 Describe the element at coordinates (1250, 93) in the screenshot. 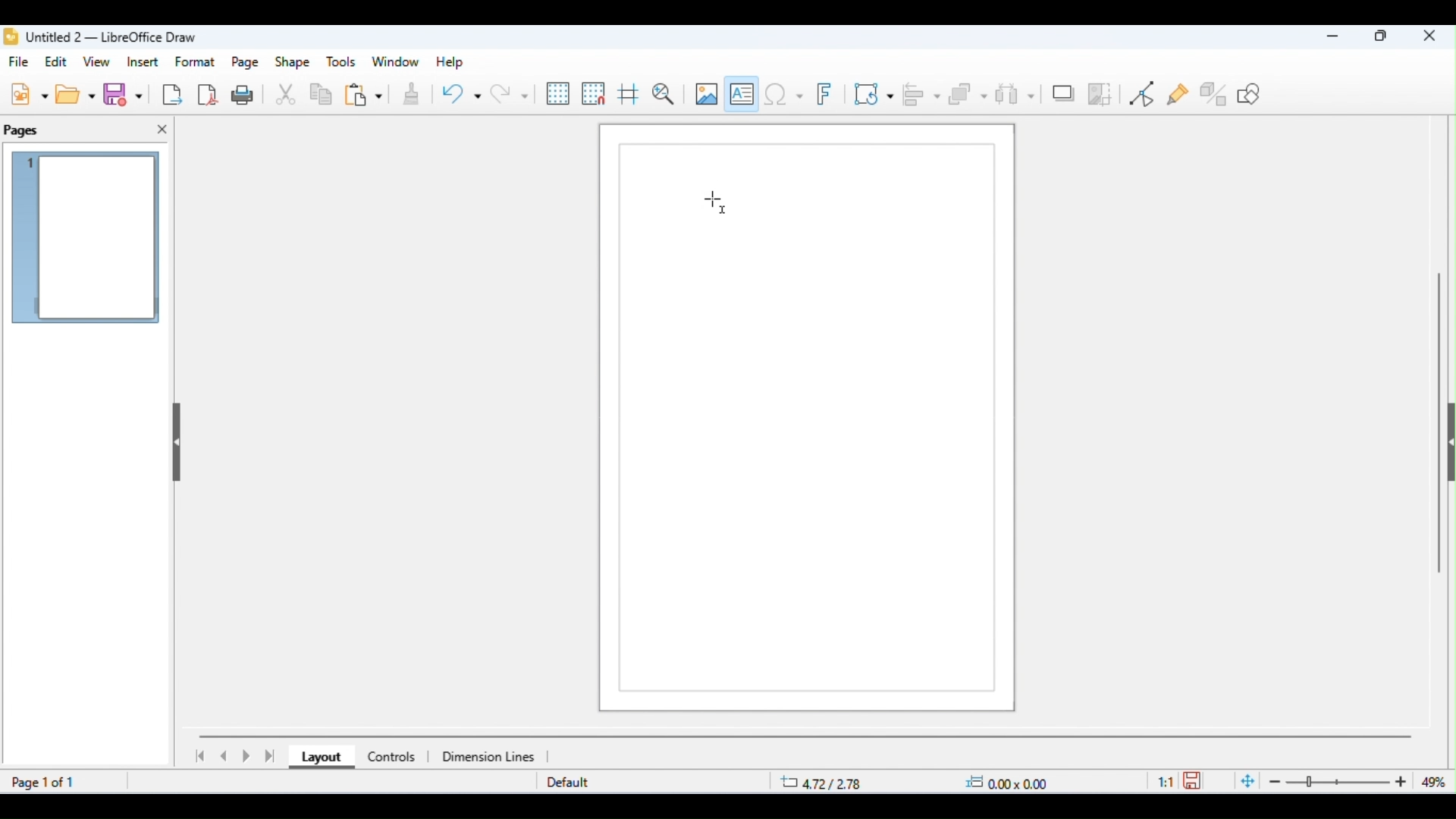

I see `how draw functions` at that location.